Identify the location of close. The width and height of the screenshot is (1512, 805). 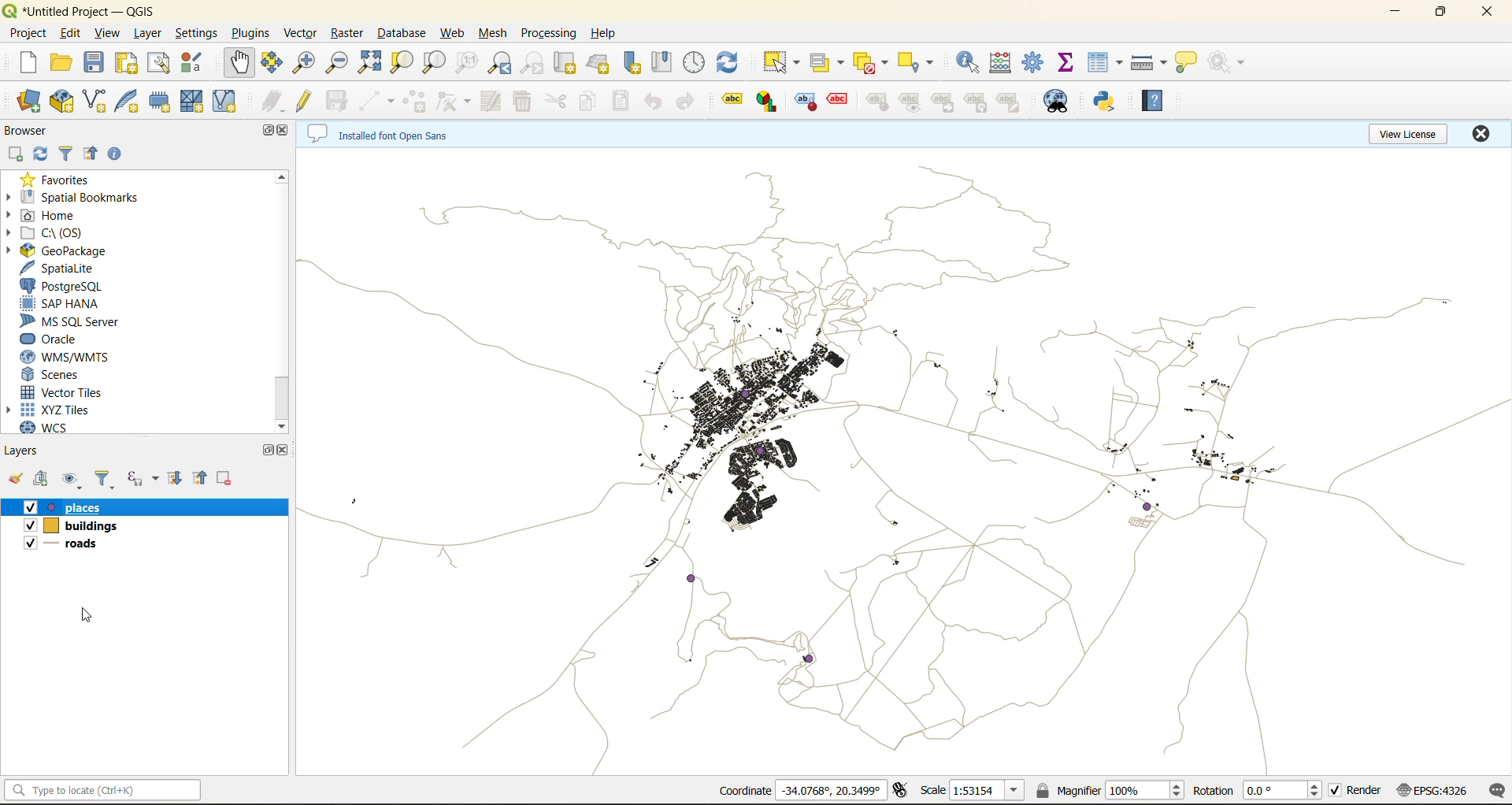
(286, 450).